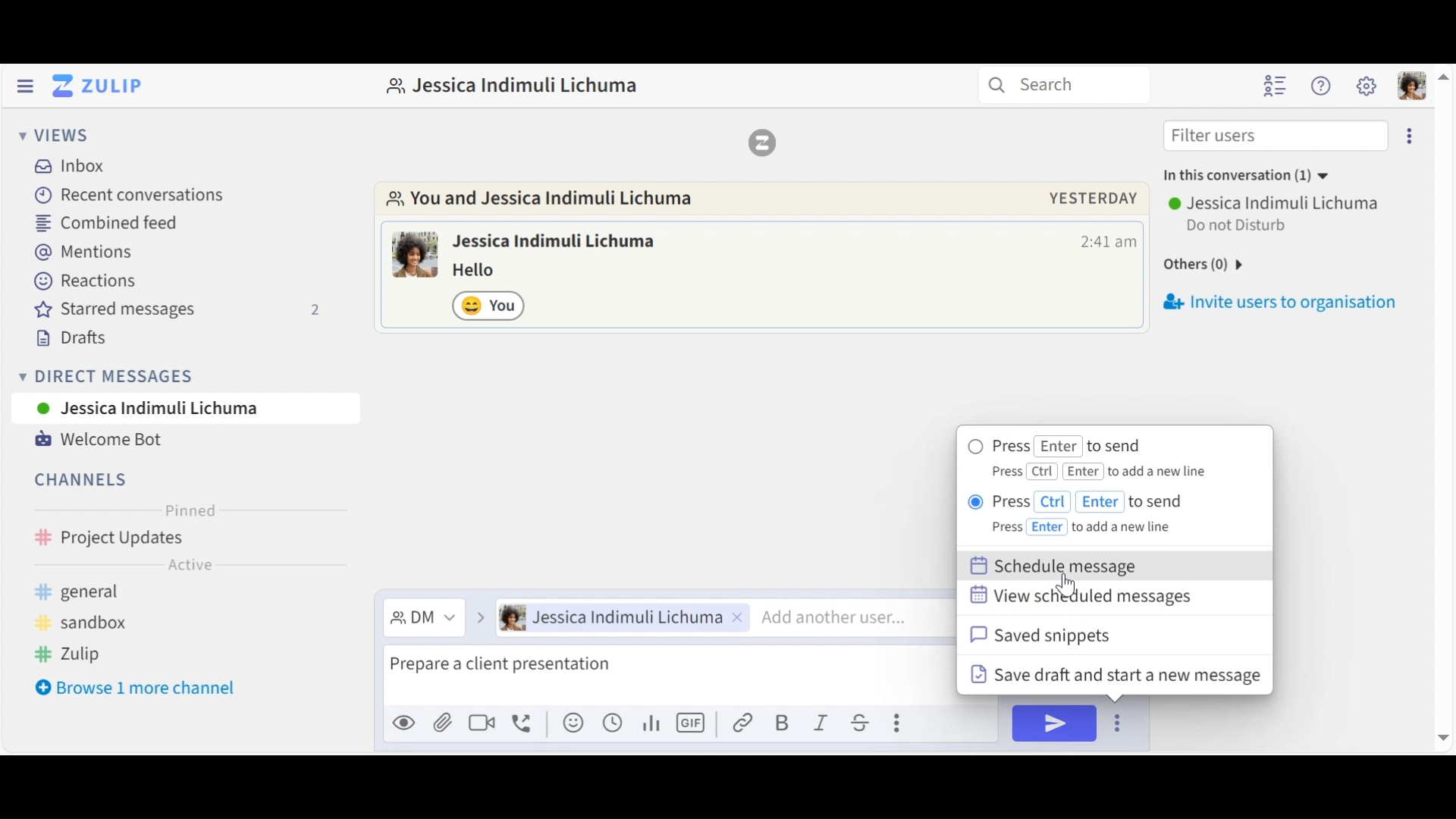 The image size is (1456, 819). What do you see at coordinates (650, 723) in the screenshot?
I see `Add polls` at bounding box center [650, 723].